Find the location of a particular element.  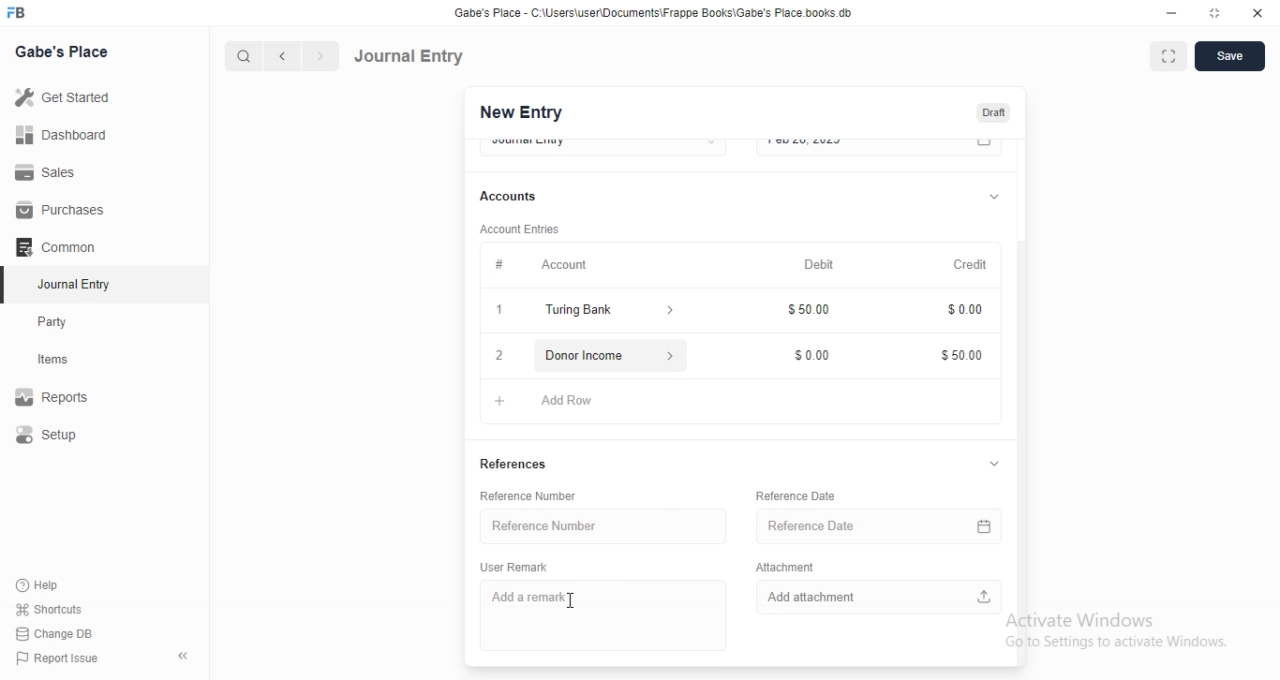

previous is located at coordinates (279, 56).